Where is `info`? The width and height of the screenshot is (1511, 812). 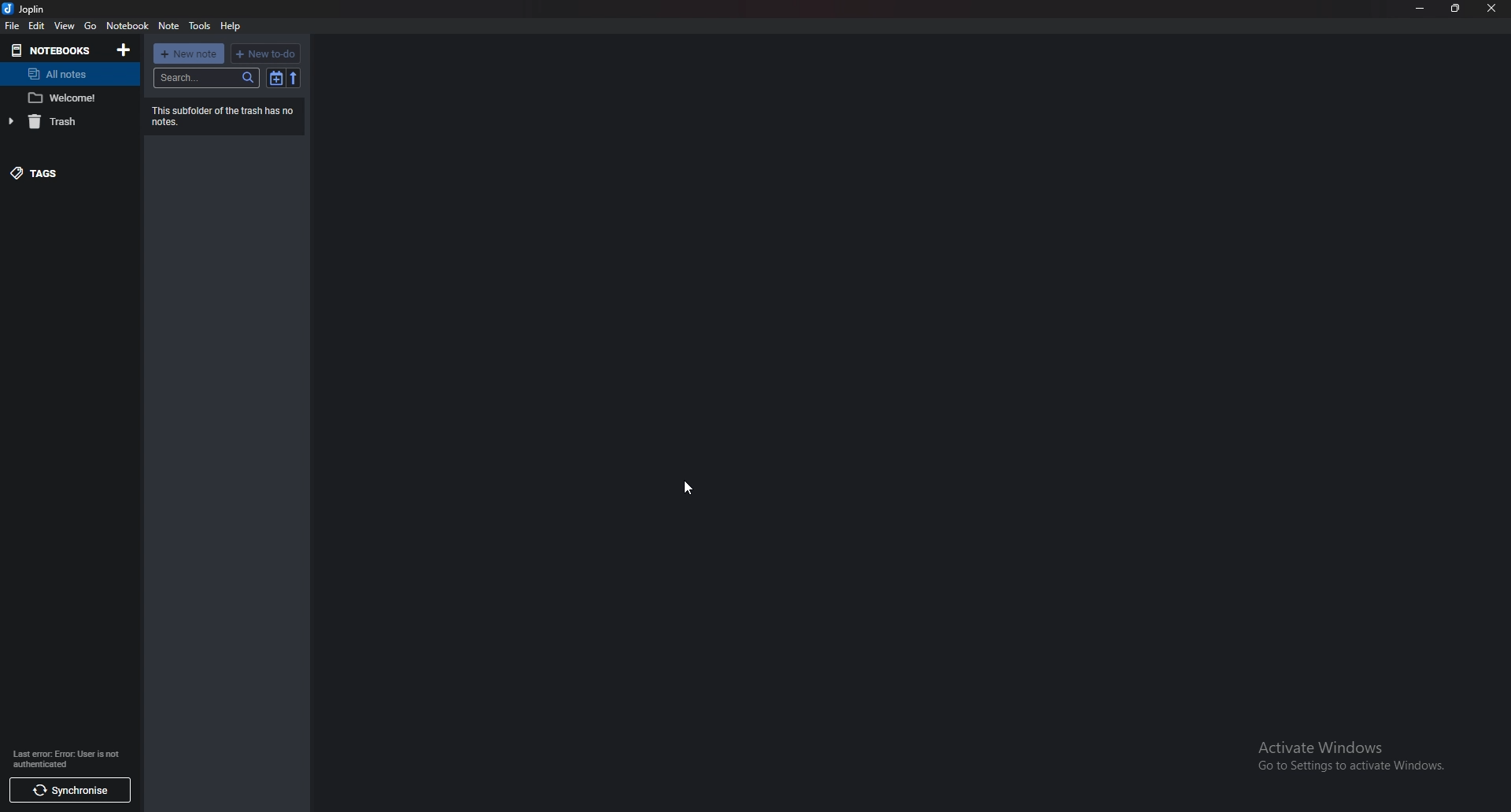 info is located at coordinates (66, 759).